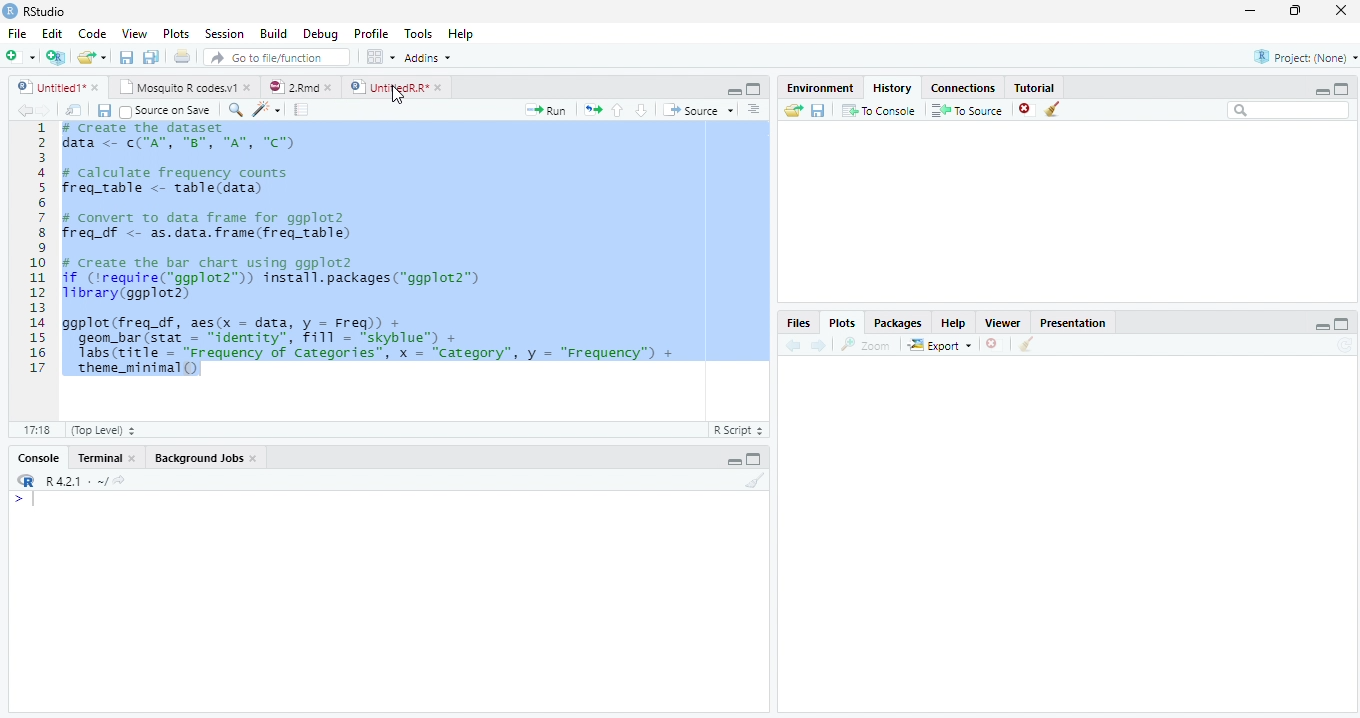 The height and width of the screenshot is (718, 1360). I want to click on Cursor, so click(397, 95).